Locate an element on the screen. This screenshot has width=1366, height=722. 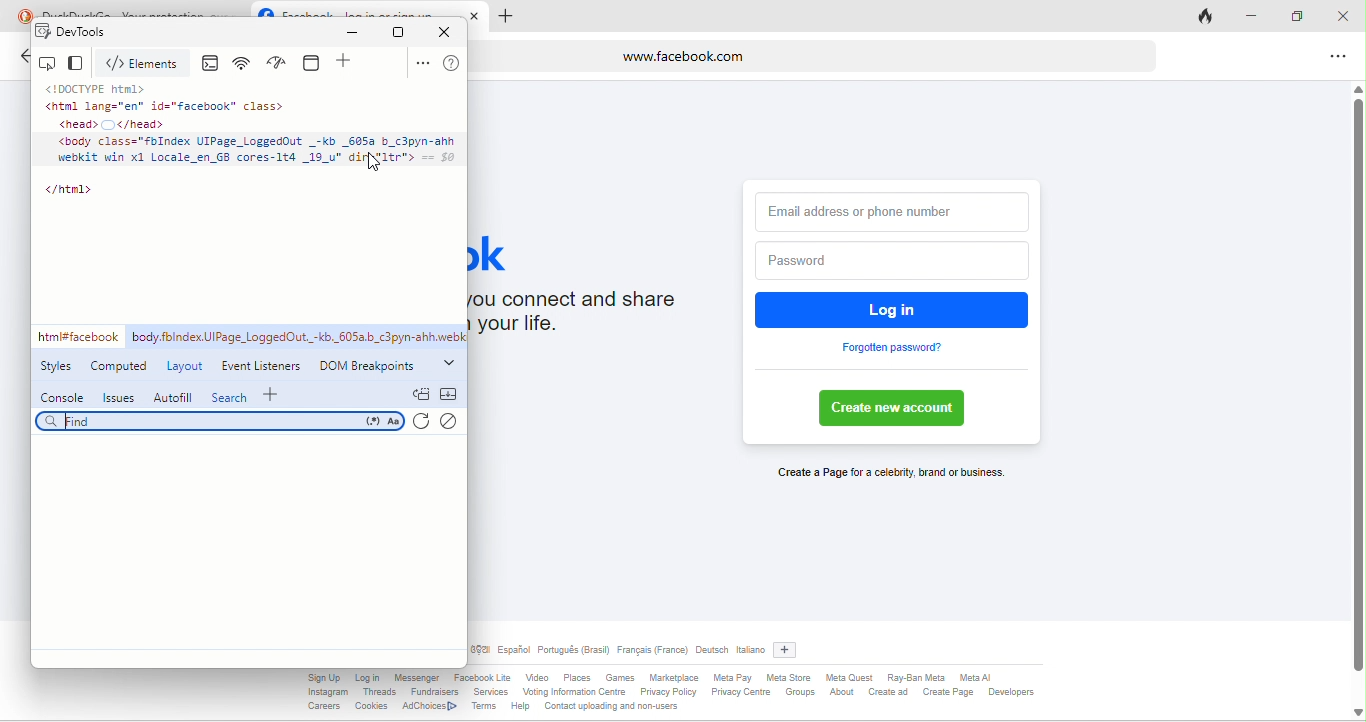
close is located at coordinates (478, 15).